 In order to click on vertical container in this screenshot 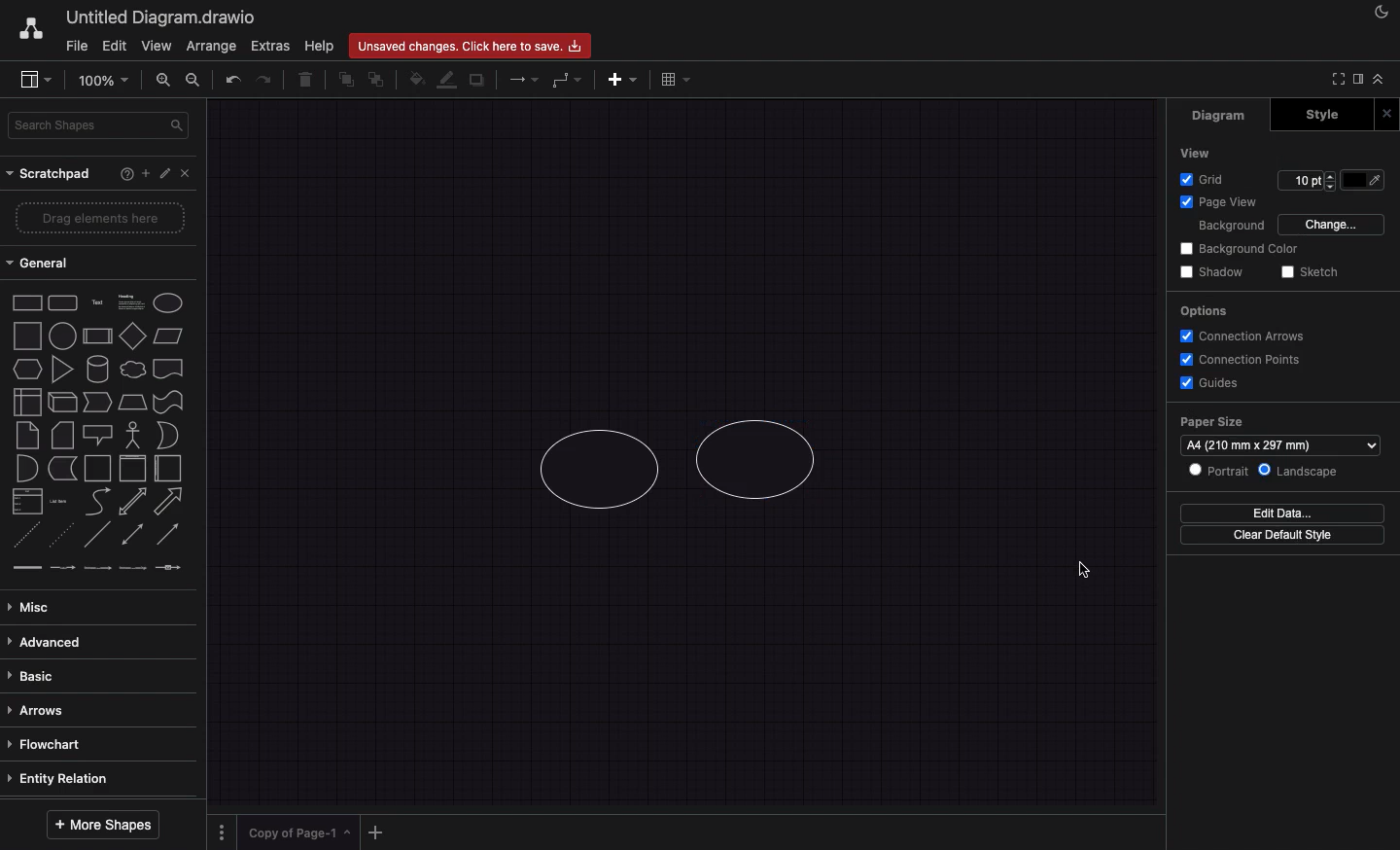, I will do `click(135, 468)`.